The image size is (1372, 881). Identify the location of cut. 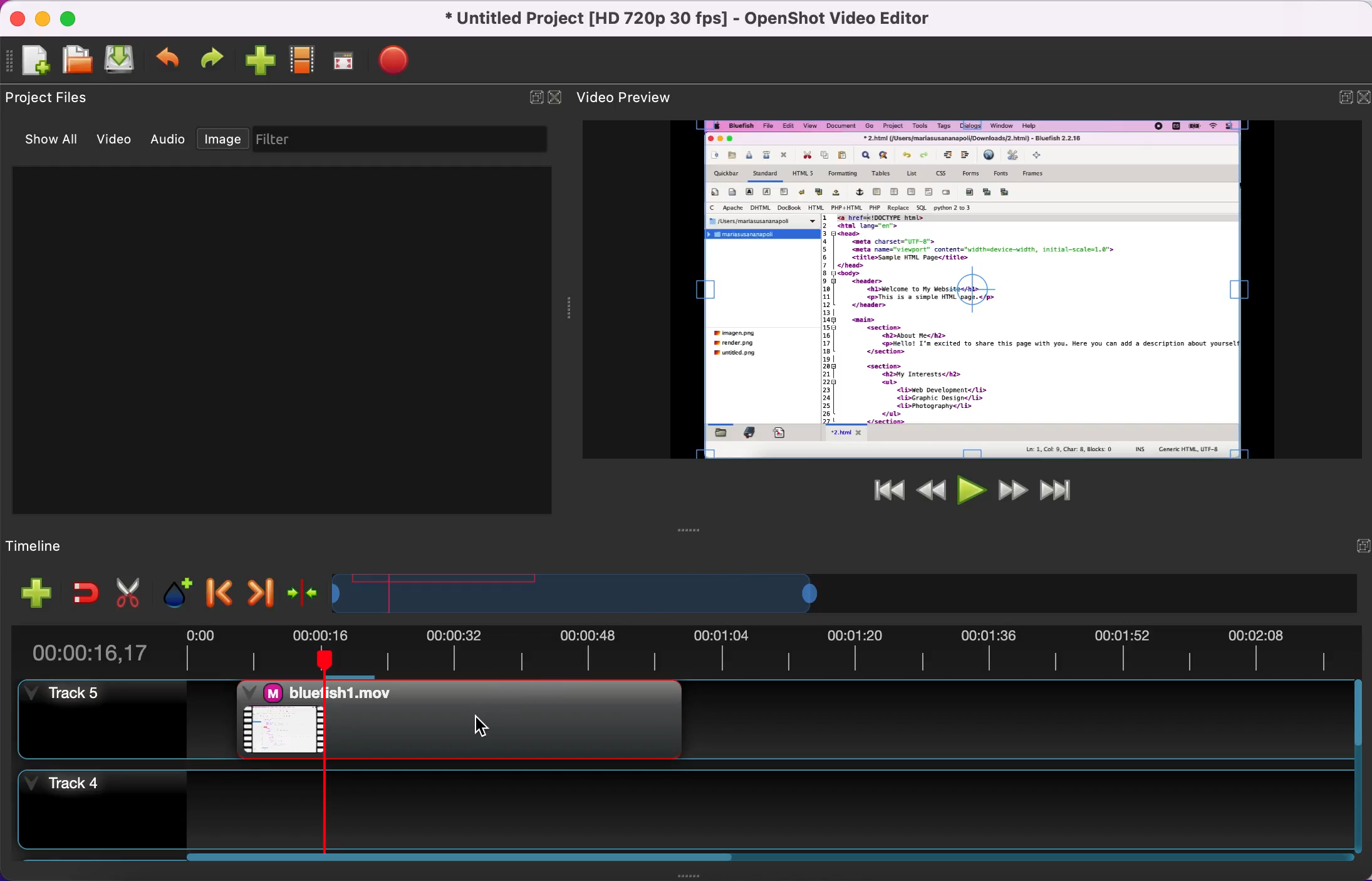
(128, 590).